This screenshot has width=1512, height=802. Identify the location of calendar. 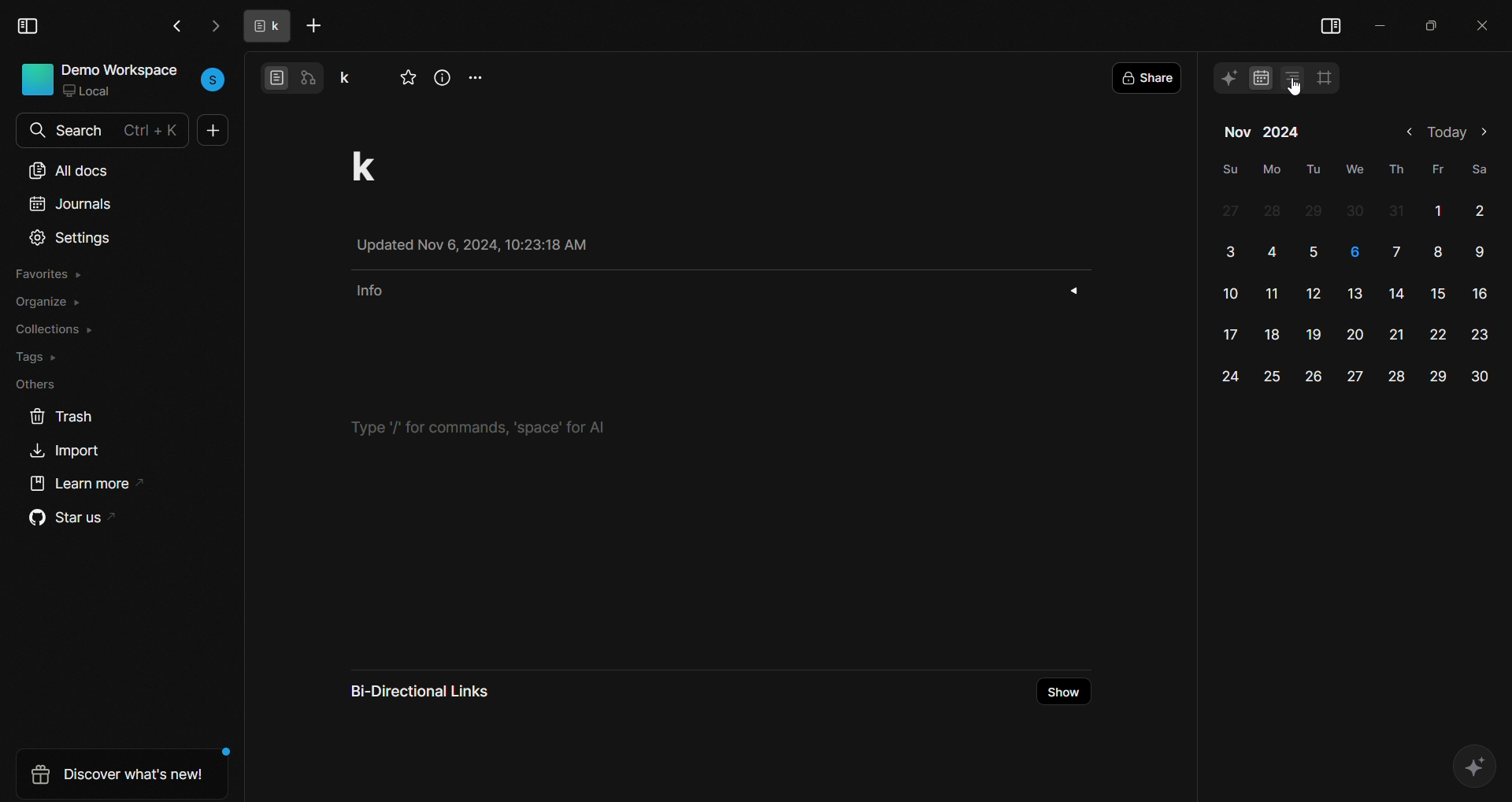
(1256, 80).